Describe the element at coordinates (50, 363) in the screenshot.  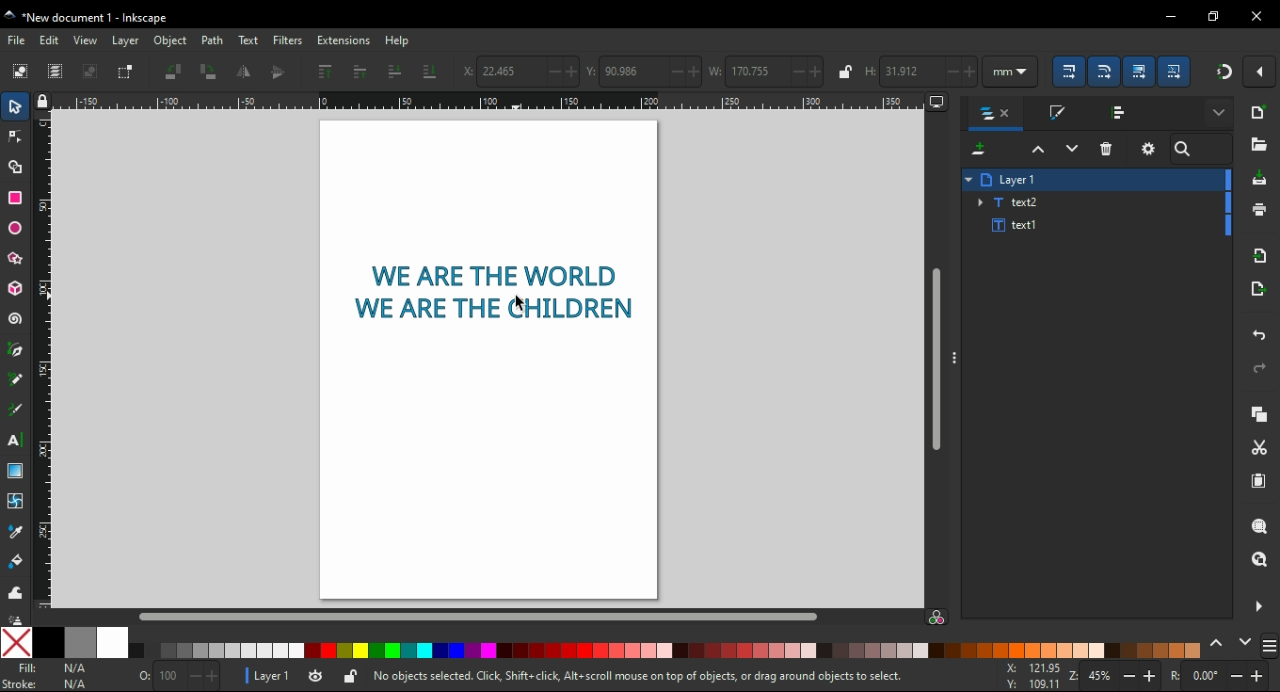
I see `vertical ruler` at that location.